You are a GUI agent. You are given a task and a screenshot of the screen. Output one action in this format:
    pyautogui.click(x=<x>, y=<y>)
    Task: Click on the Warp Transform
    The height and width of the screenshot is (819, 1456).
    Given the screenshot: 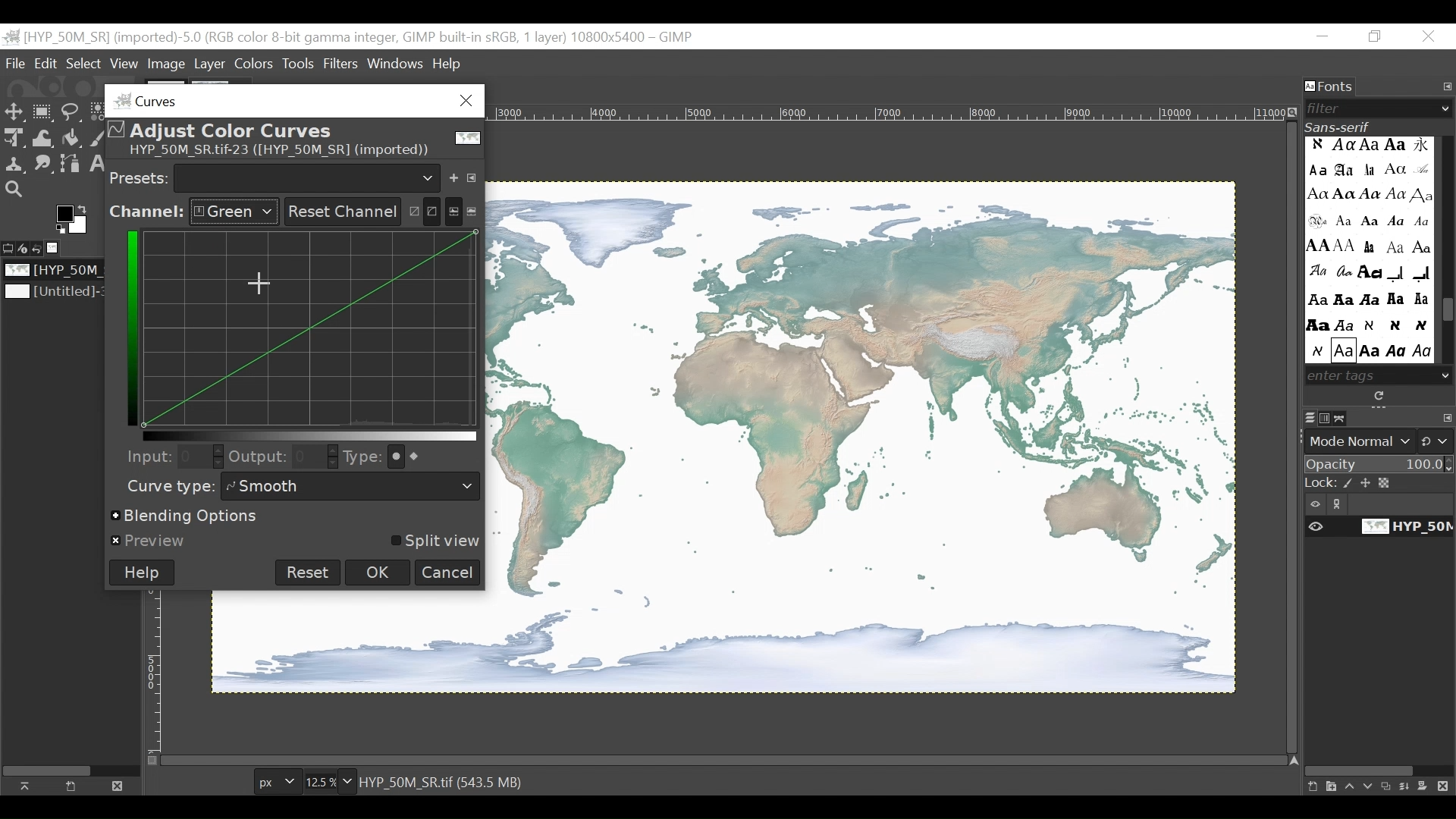 What is the action you would take?
    pyautogui.click(x=44, y=139)
    